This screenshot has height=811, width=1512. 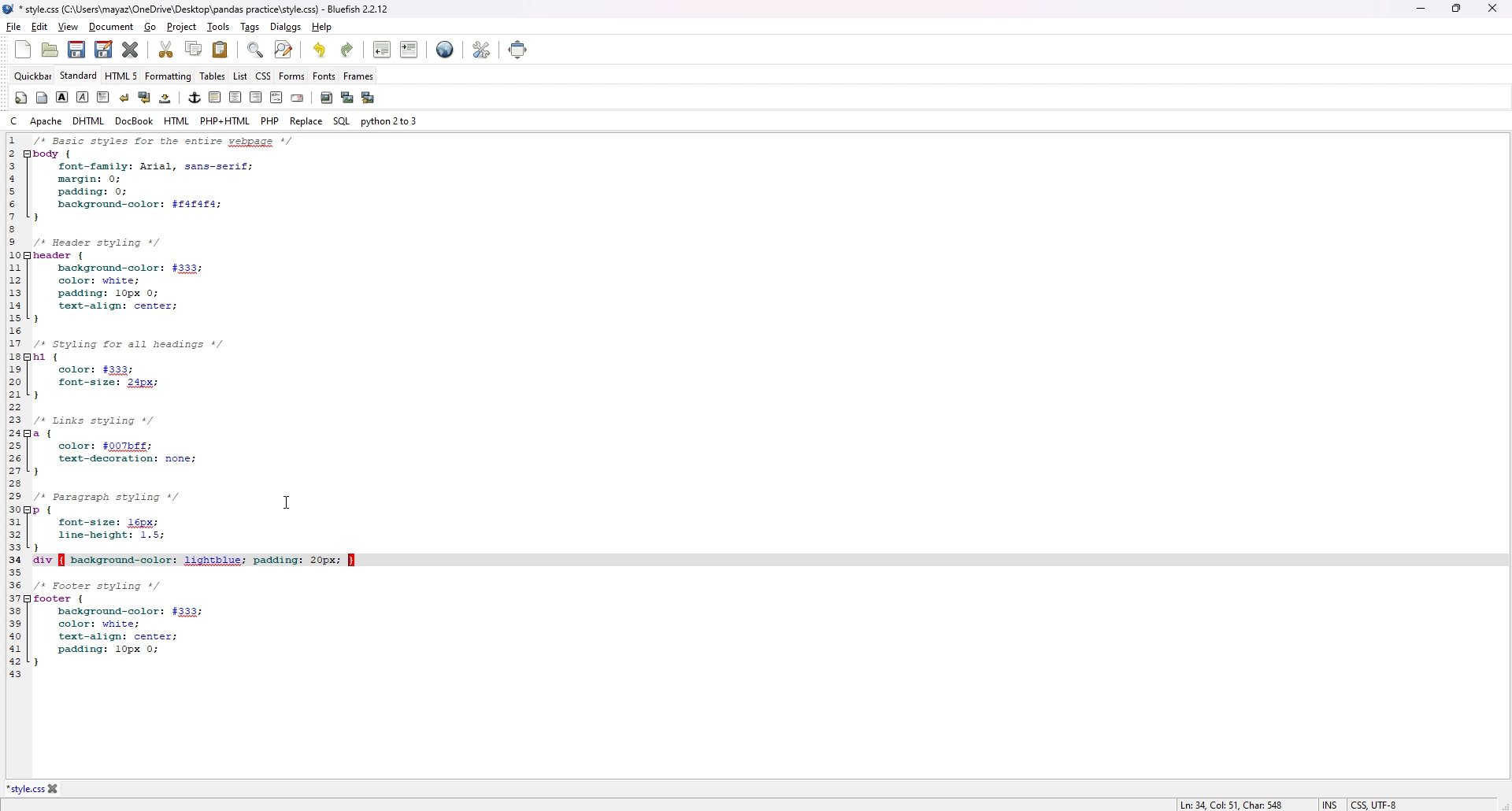 What do you see at coordinates (23, 49) in the screenshot?
I see `new` at bounding box center [23, 49].